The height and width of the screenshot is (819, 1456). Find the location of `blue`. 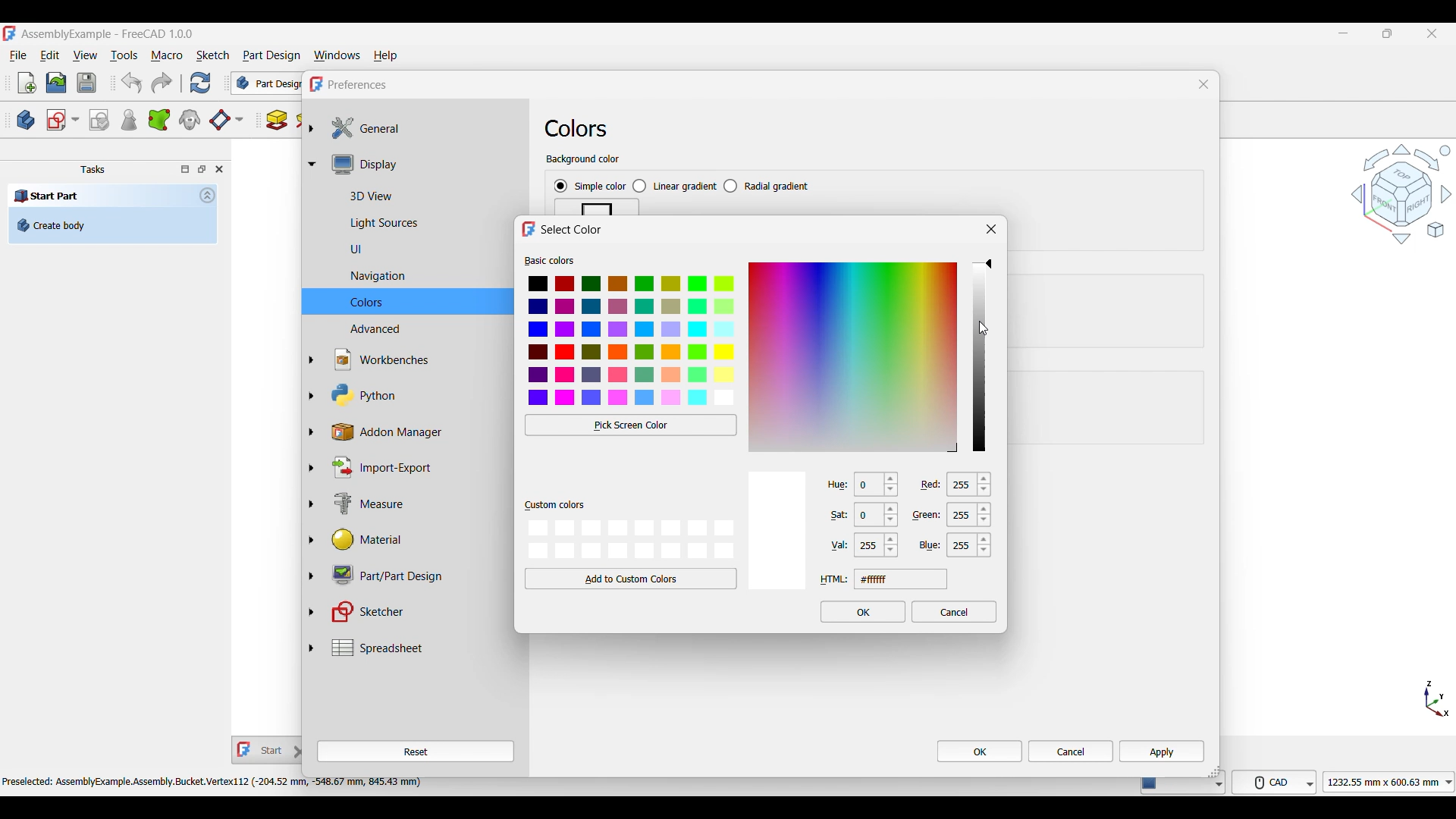

blue is located at coordinates (930, 544).